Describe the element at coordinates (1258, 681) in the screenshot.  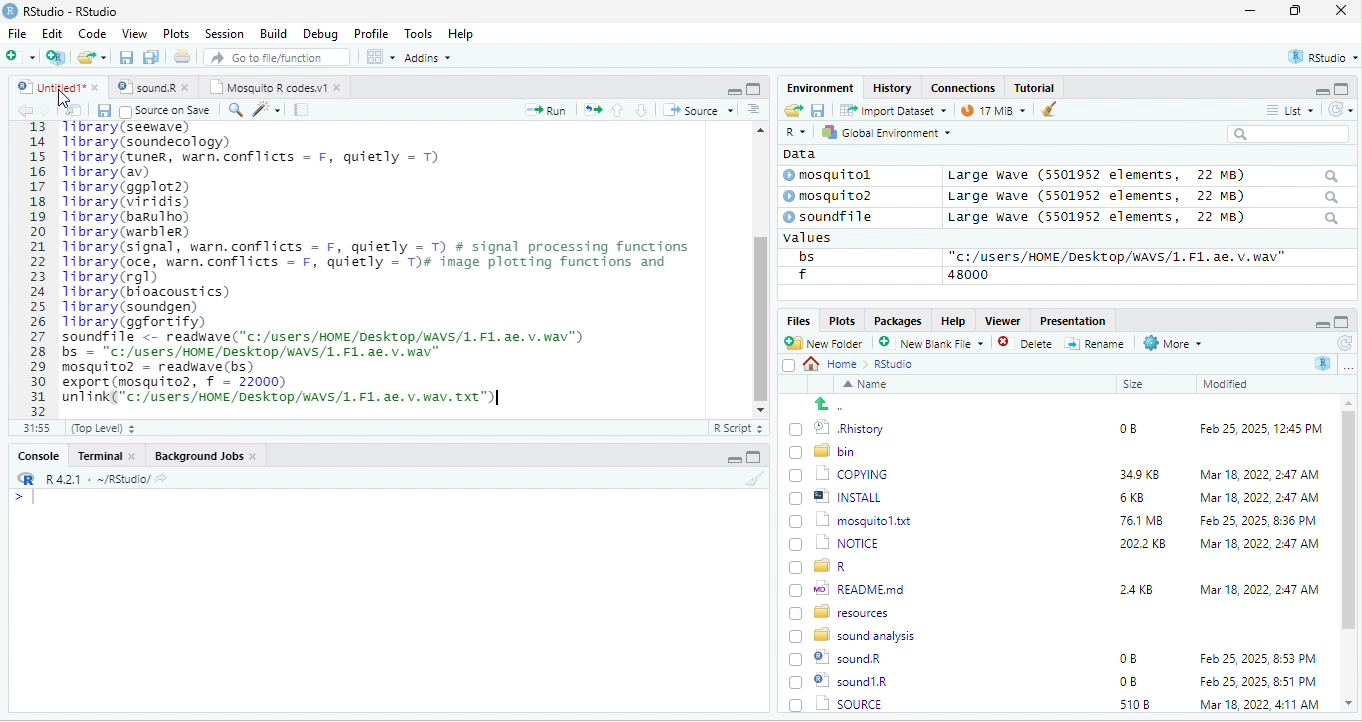
I see `Mar 18, 2022, 4:11 AM` at that location.